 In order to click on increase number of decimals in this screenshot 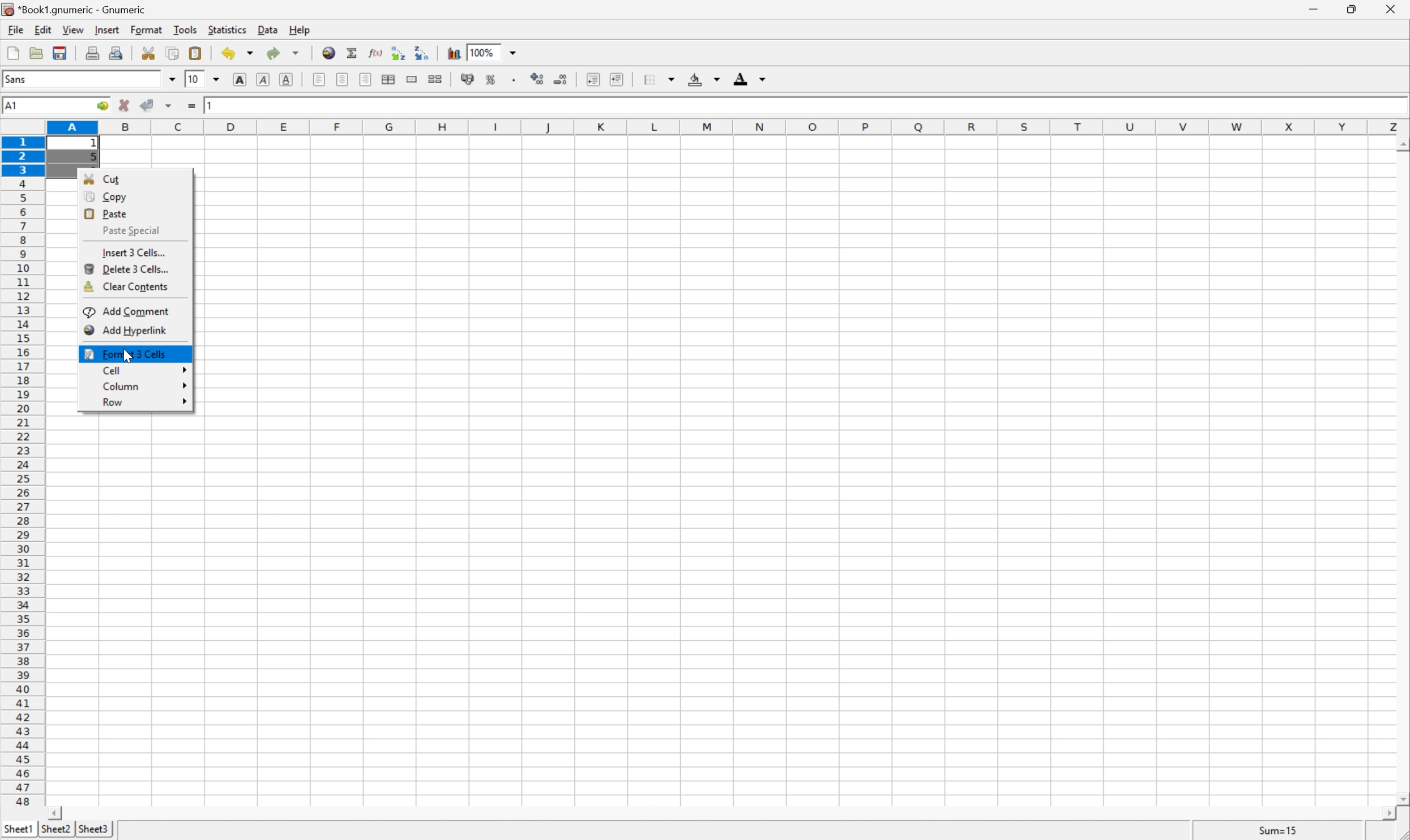, I will do `click(538, 79)`.